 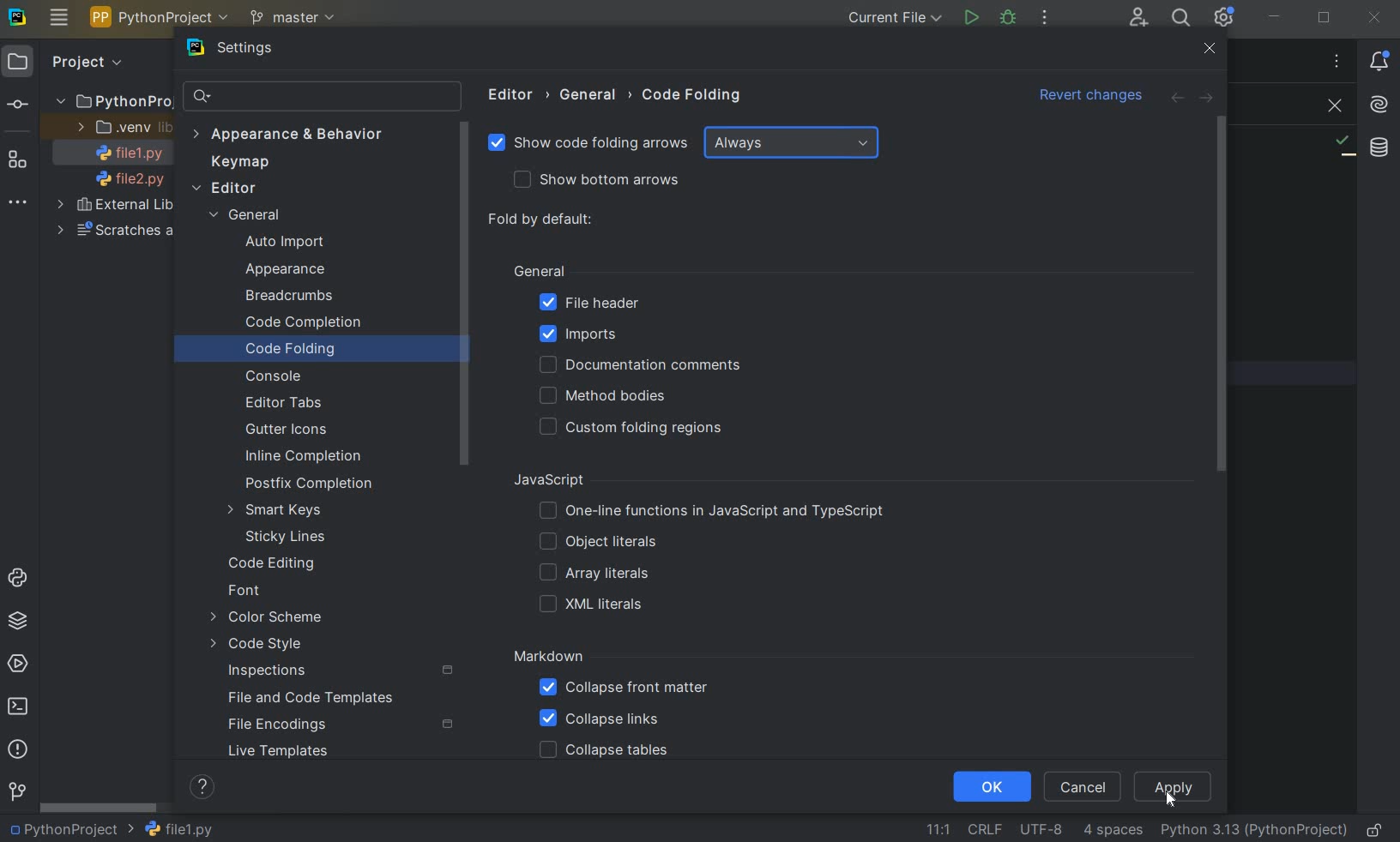 I want to click on PROJECT, so click(x=67, y=63).